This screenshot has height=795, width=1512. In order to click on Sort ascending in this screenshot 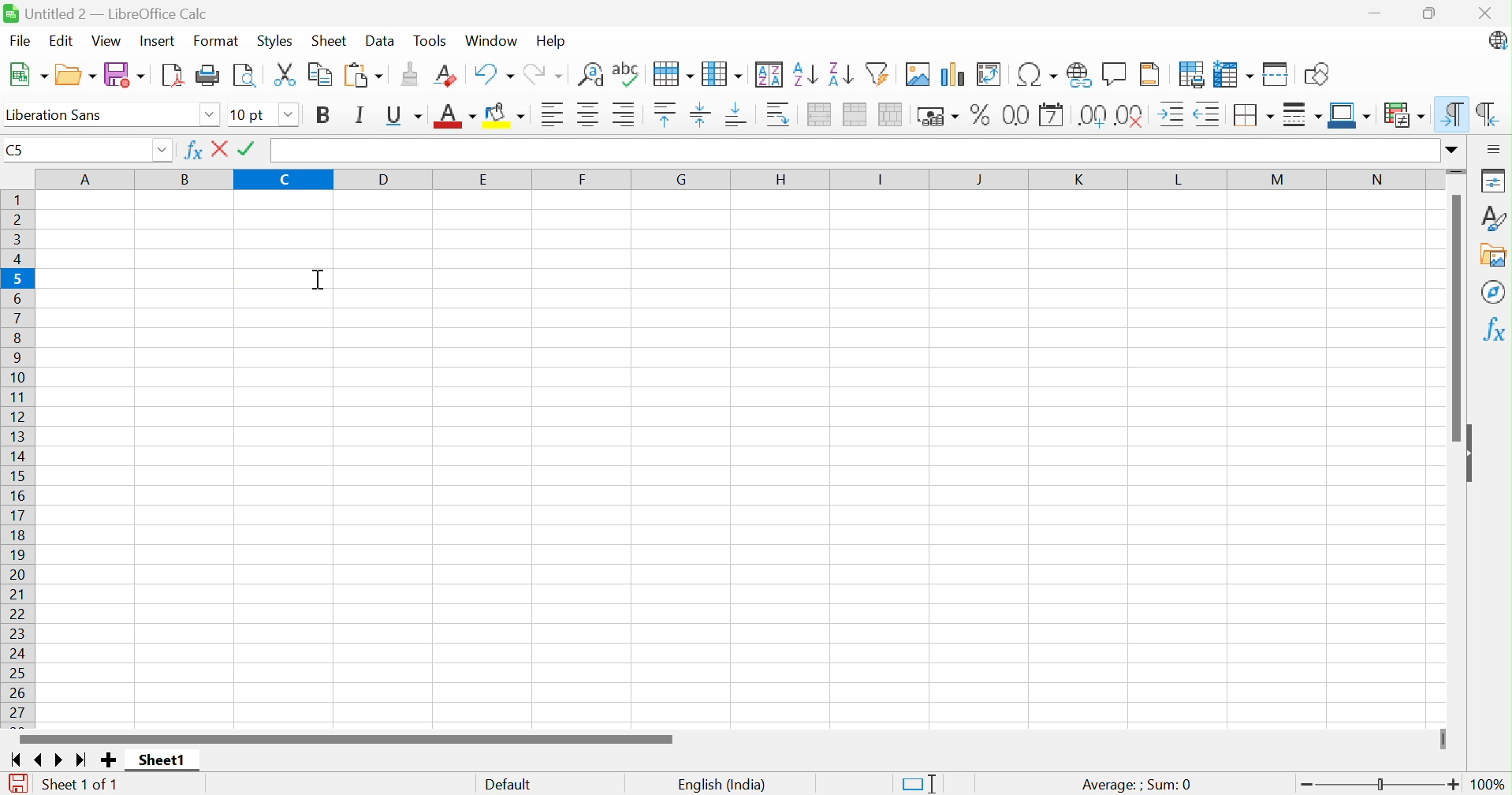, I will do `click(805, 75)`.